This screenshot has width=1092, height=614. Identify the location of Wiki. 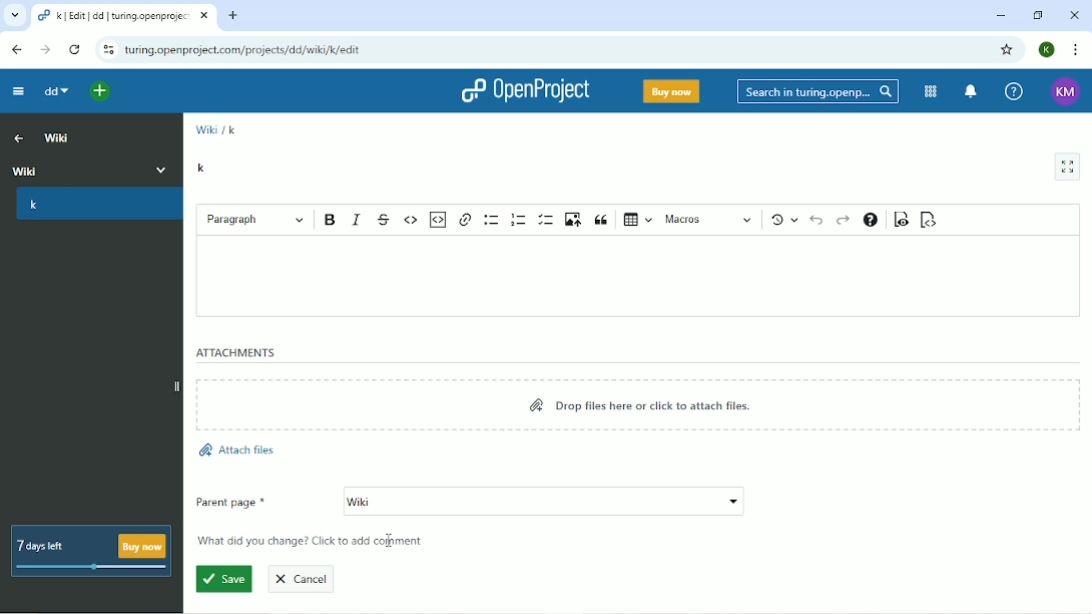
(205, 129).